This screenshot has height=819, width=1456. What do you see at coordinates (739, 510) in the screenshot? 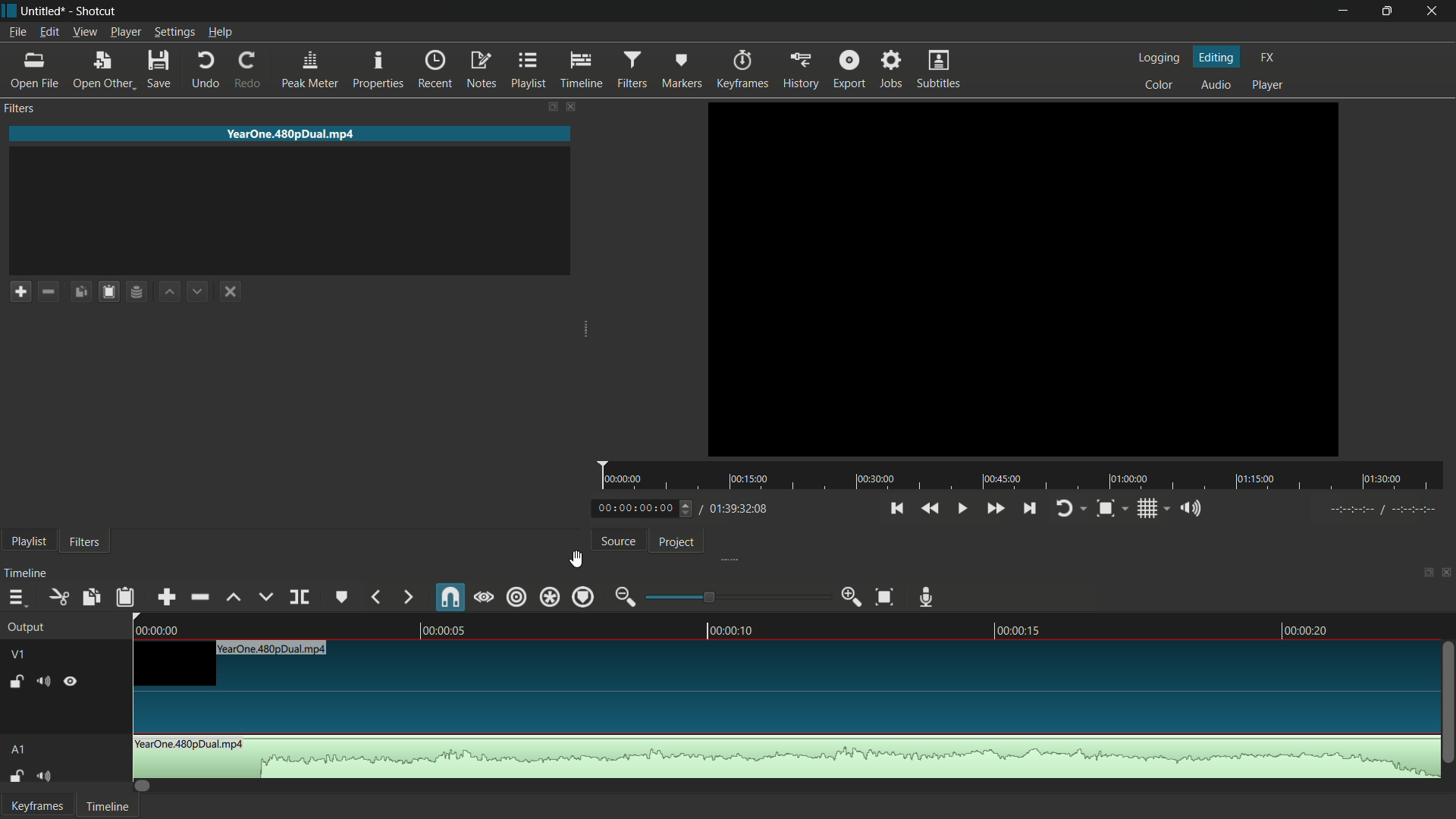
I see `total time` at bounding box center [739, 510].